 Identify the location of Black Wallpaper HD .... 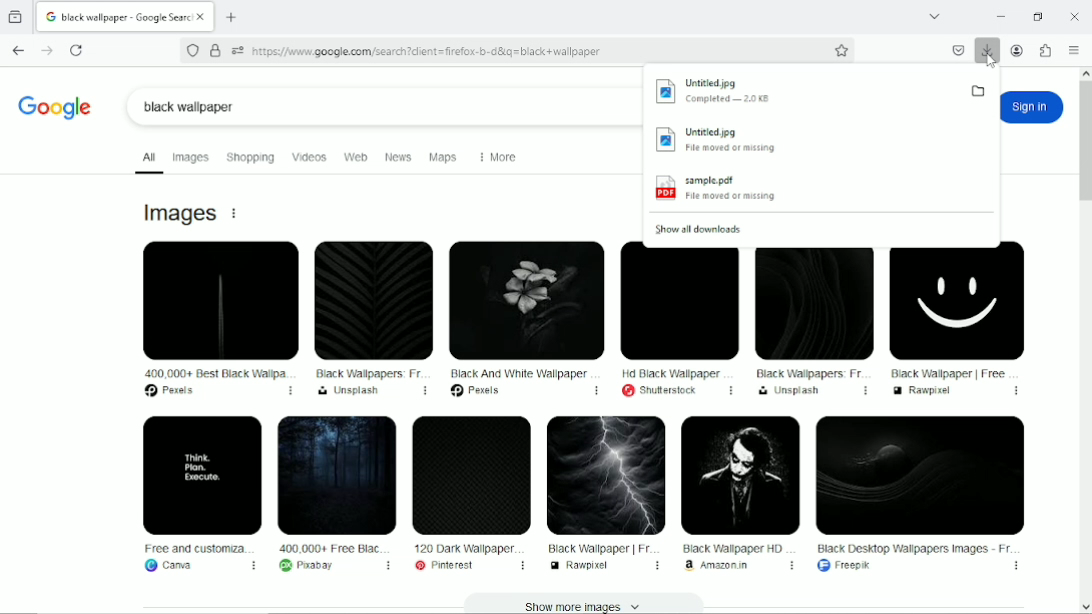
(738, 493).